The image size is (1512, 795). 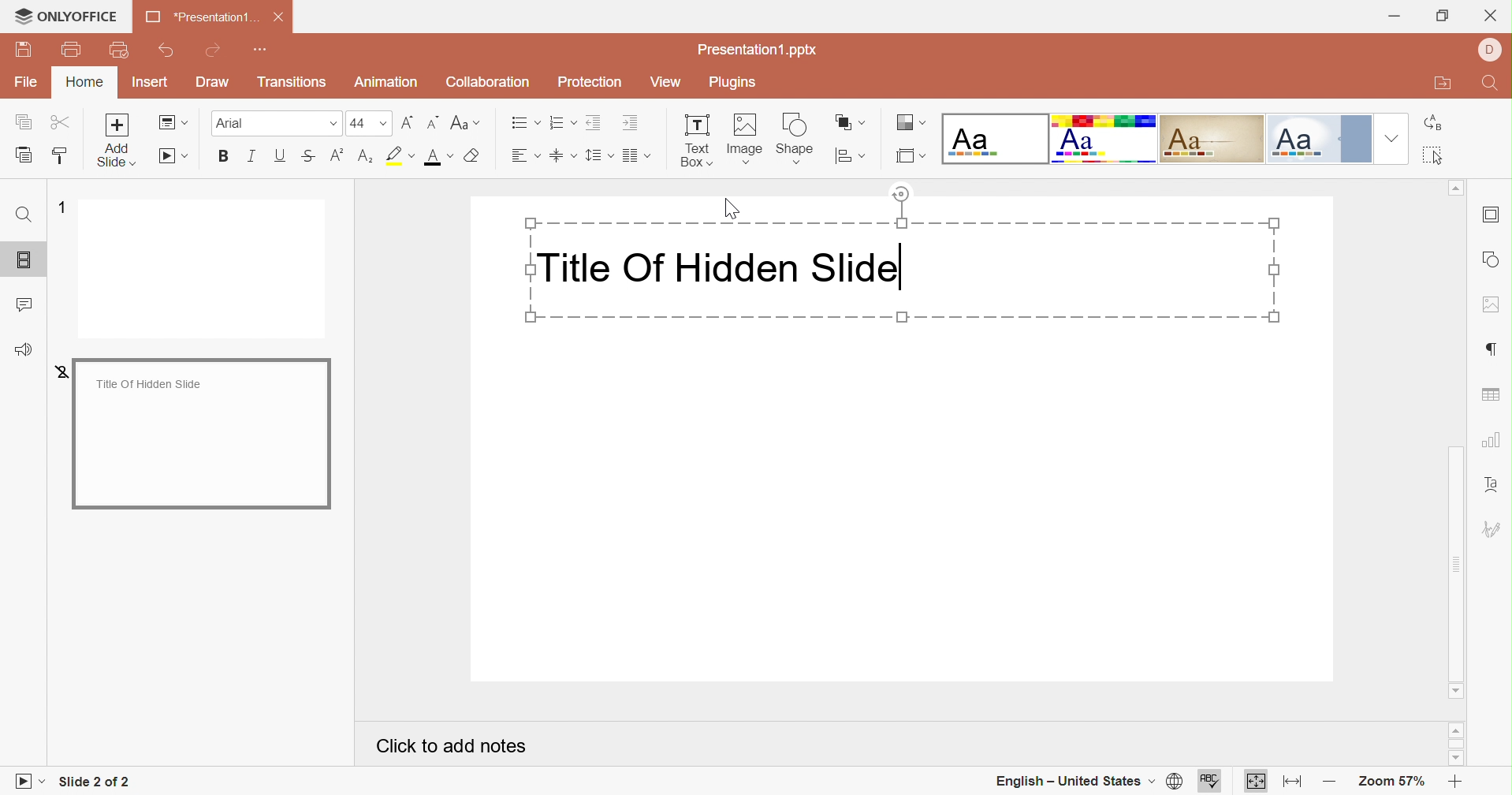 What do you see at coordinates (226, 157) in the screenshot?
I see `Bold` at bounding box center [226, 157].